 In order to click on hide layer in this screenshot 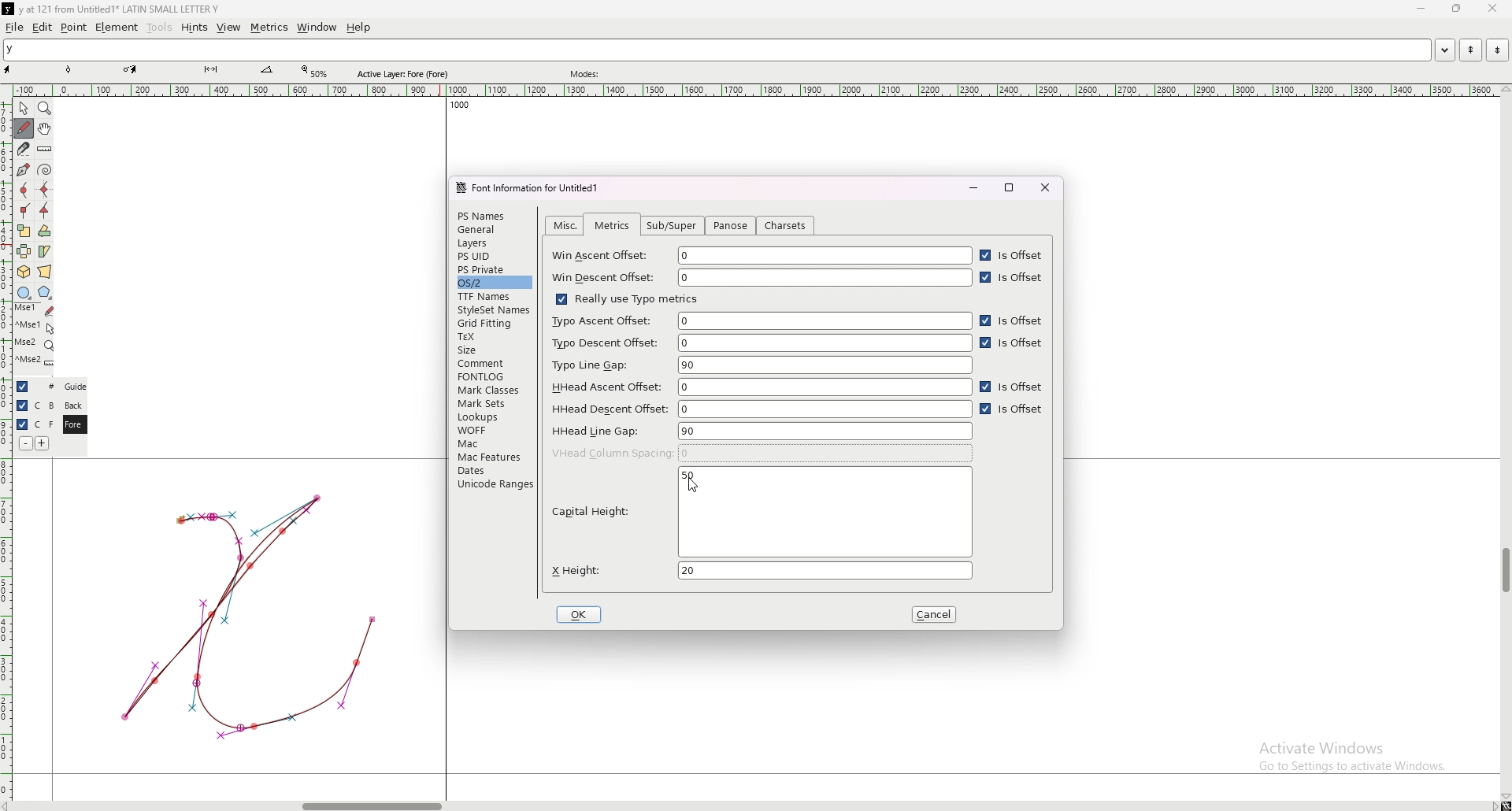, I will do `click(22, 424)`.